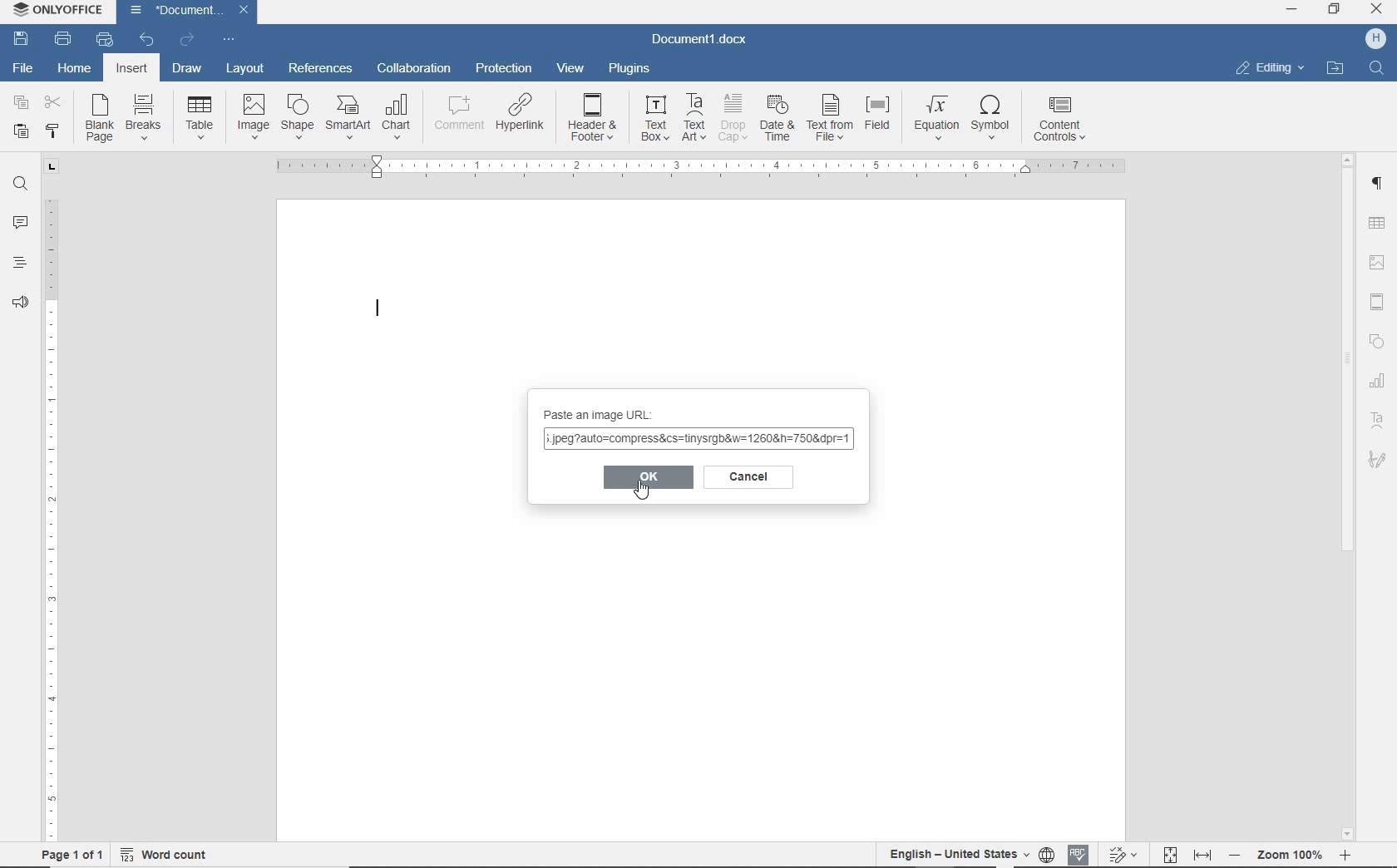 The image size is (1397, 868). What do you see at coordinates (651, 497) in the screenshot?
I see `Pointer` at bounding box center [651, 497].